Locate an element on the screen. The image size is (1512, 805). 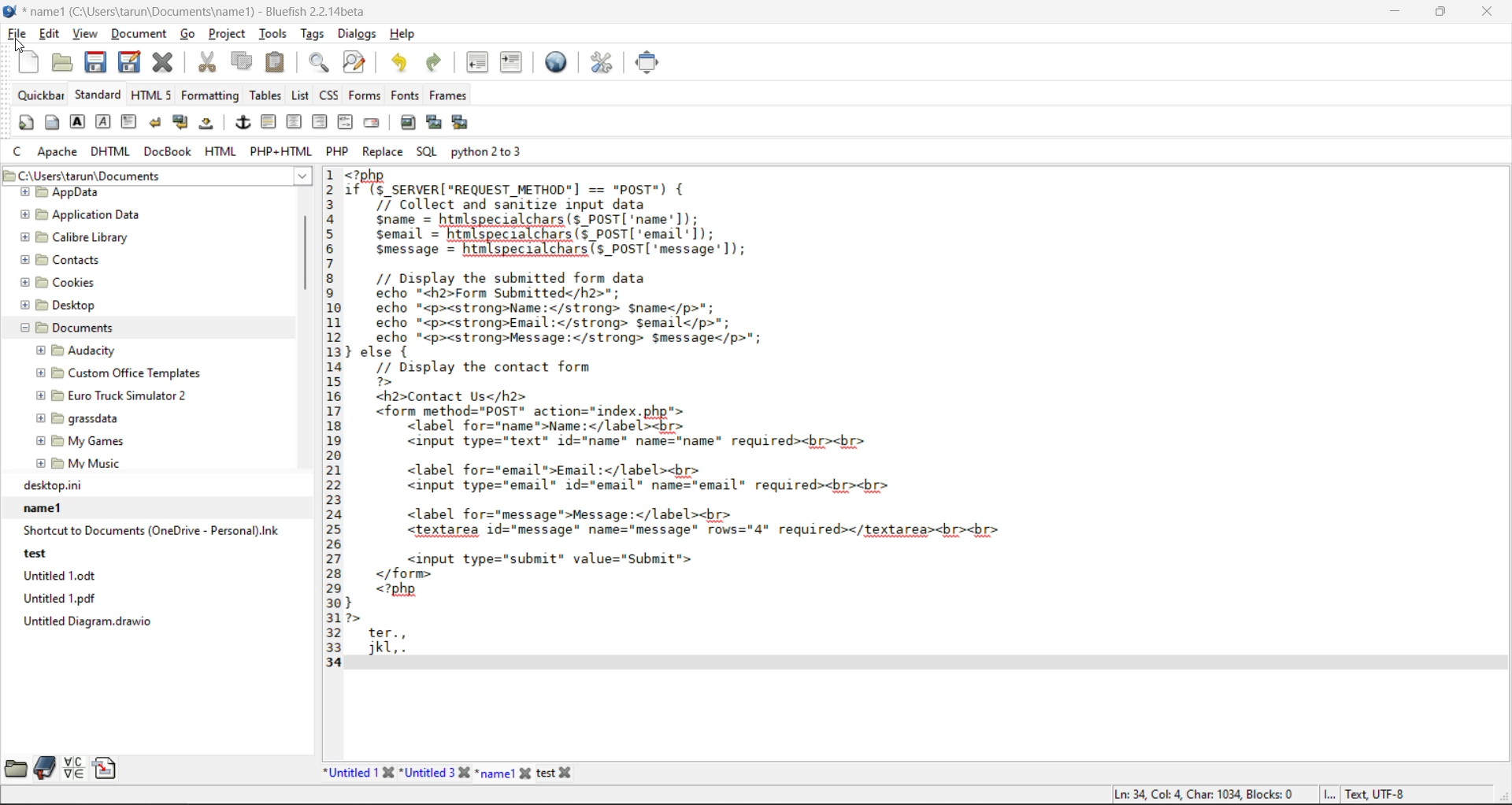
save as is located at coordinates (132, 61).